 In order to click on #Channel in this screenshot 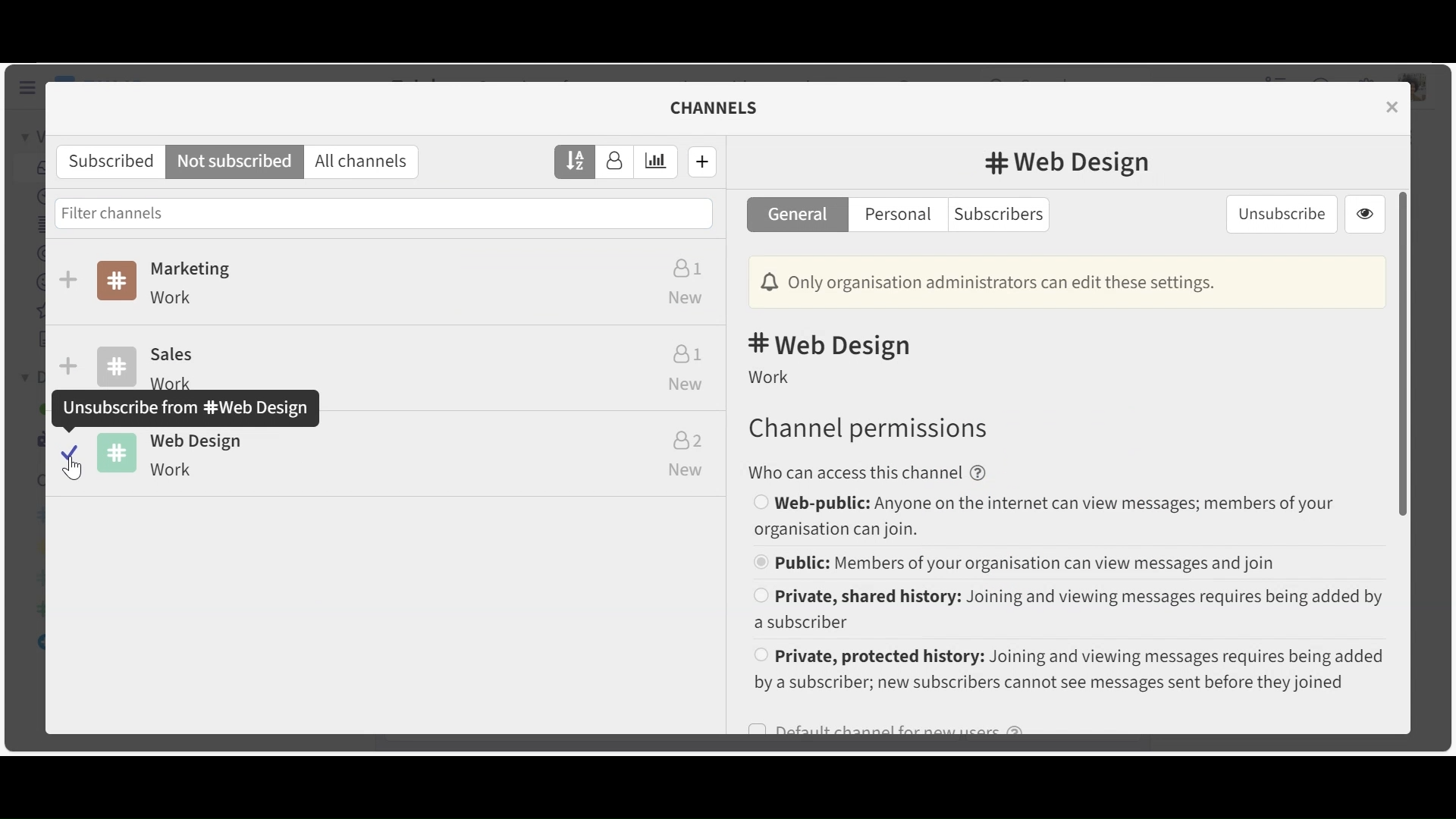, I will do `click(834, 346)`.